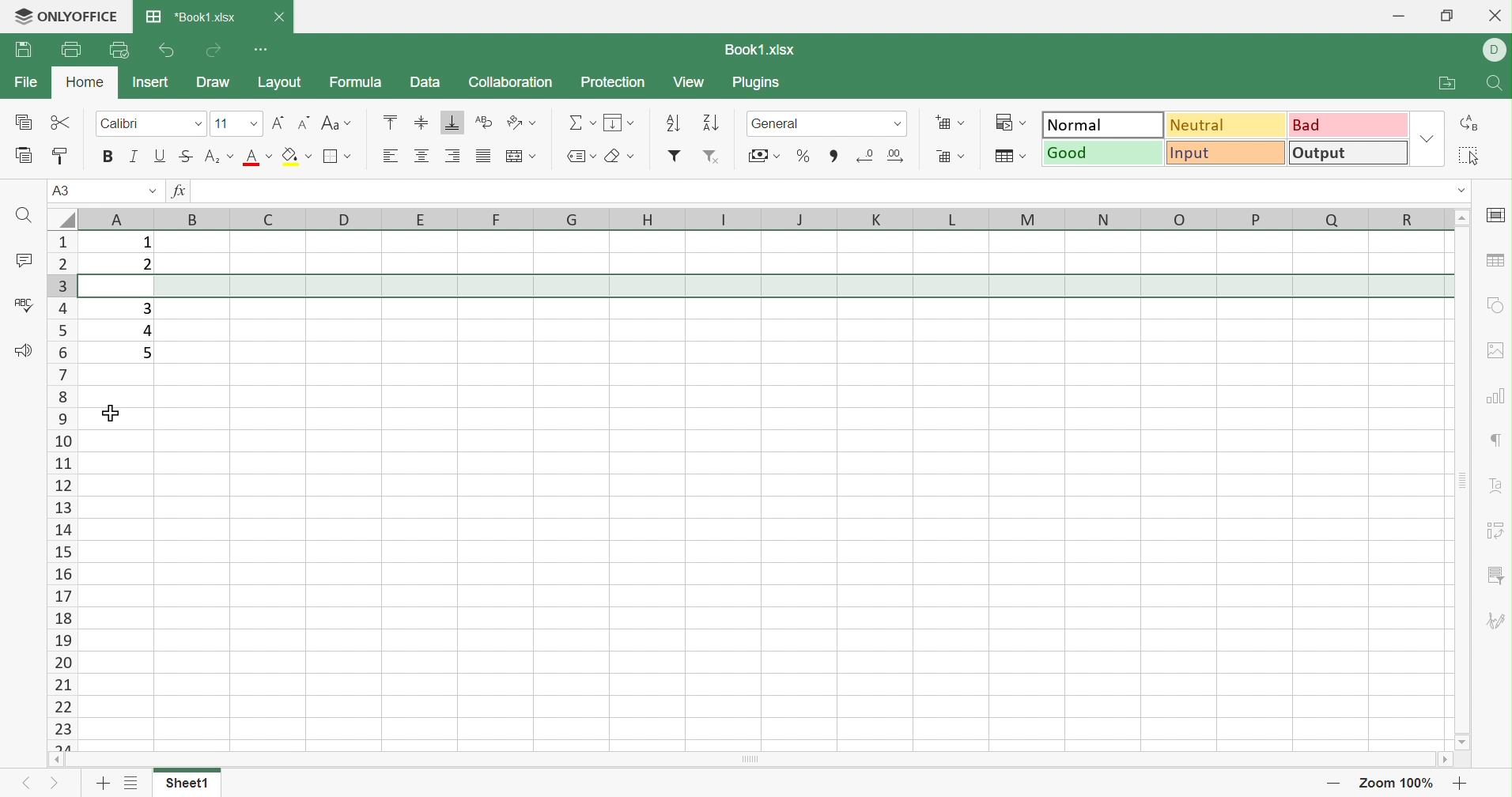 The image size is (1512, 797). I want to click on Ascending order, so click(672, 121).